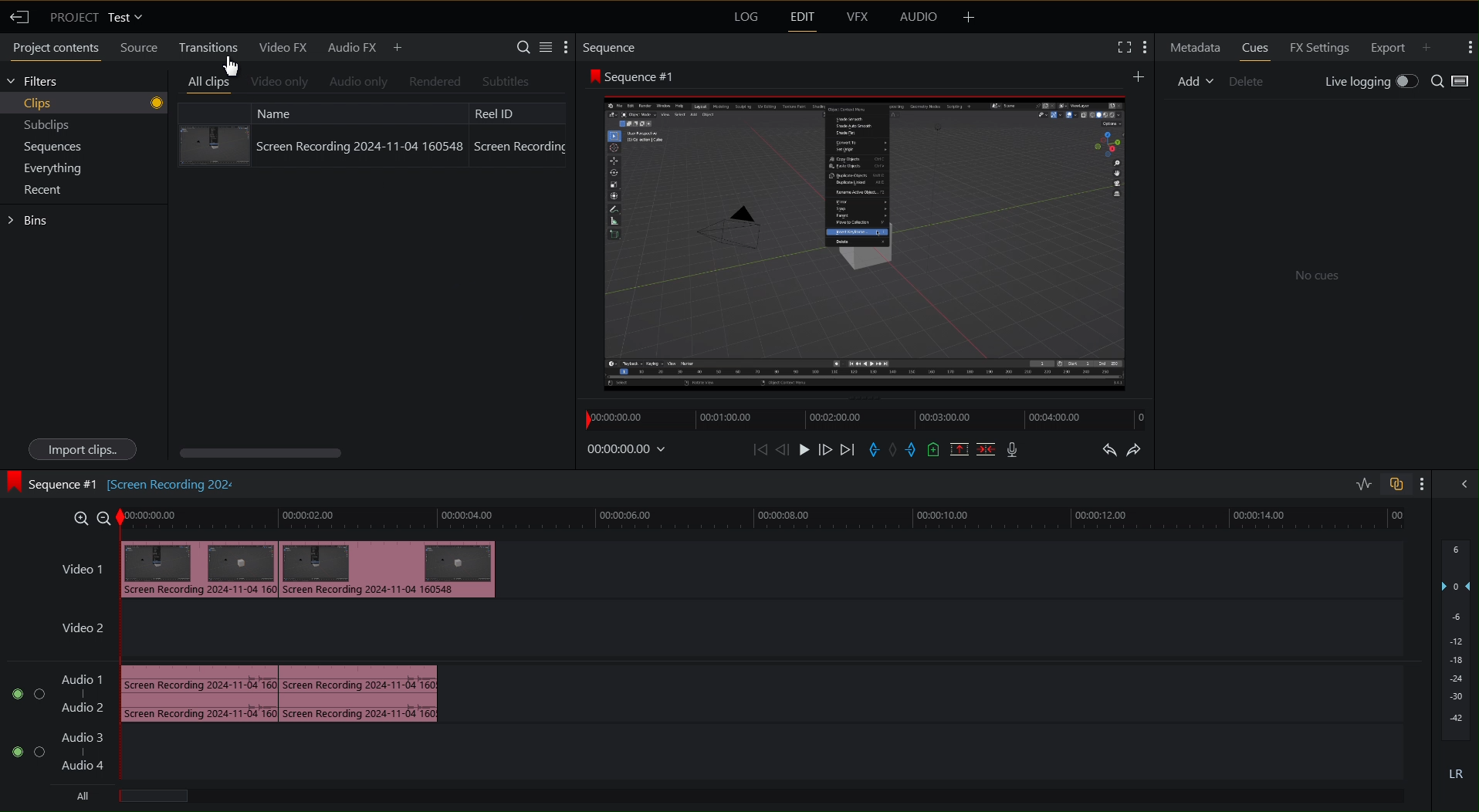 Image resolution: width=1479 pixels, height=812 pixels. Describe the element at coordinates (340, 568) in the screenshot. I see `Video 1` at that location.